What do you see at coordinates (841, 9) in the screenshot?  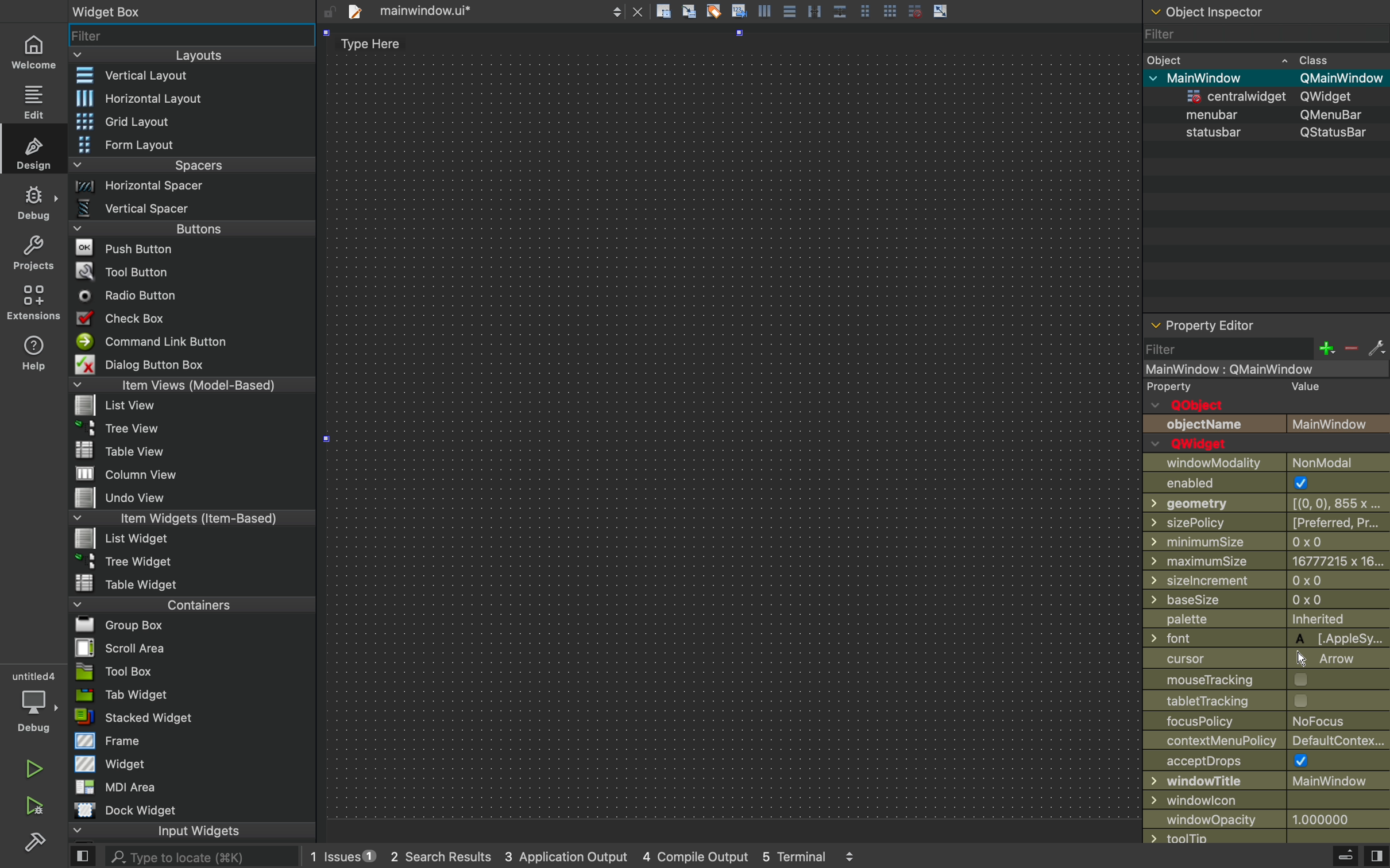 I see `Box` at bounding box center [841, 9].